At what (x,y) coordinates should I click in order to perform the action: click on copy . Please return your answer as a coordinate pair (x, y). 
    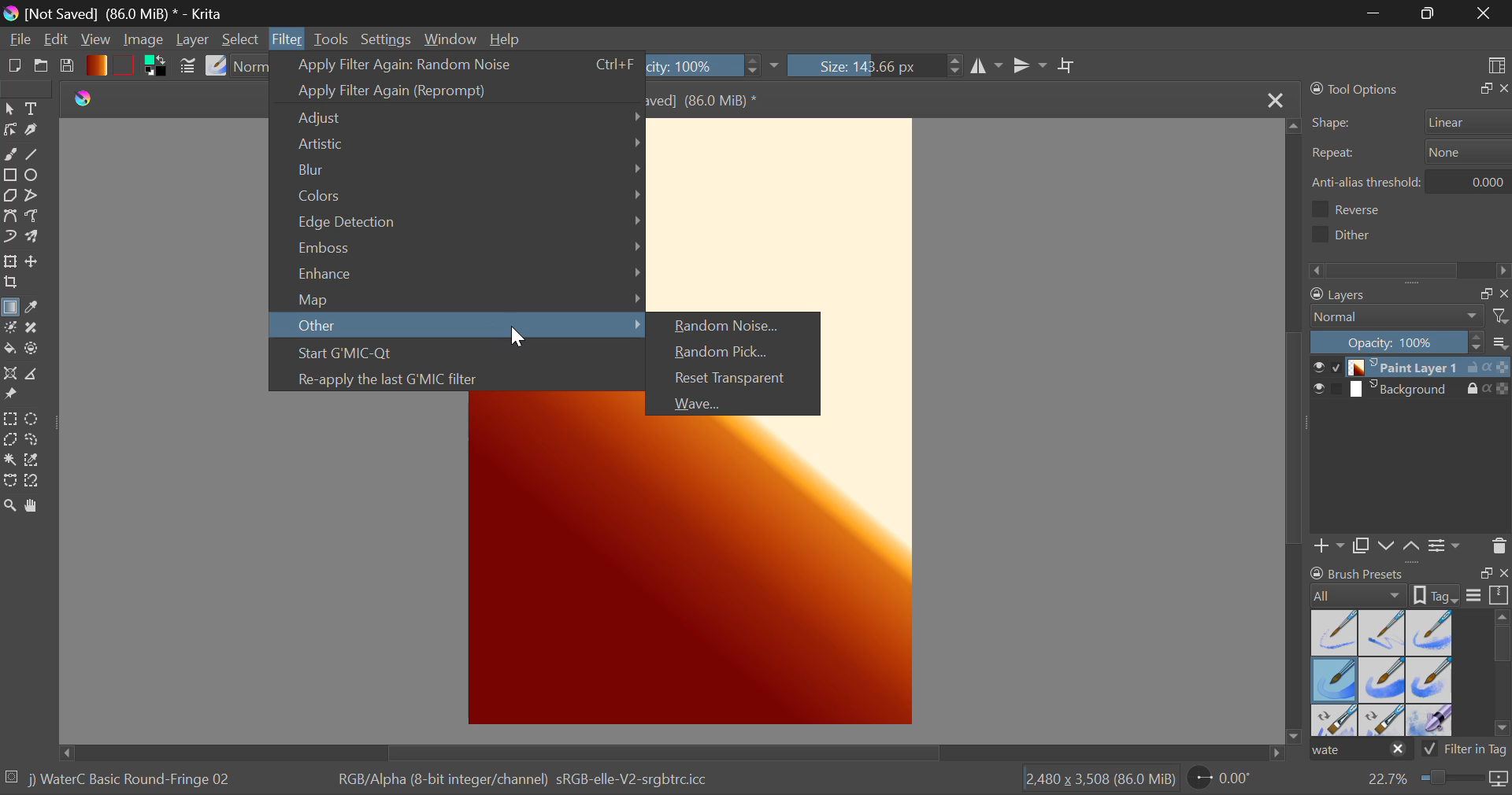
    Looking at the image, I should click on (1482, 294).